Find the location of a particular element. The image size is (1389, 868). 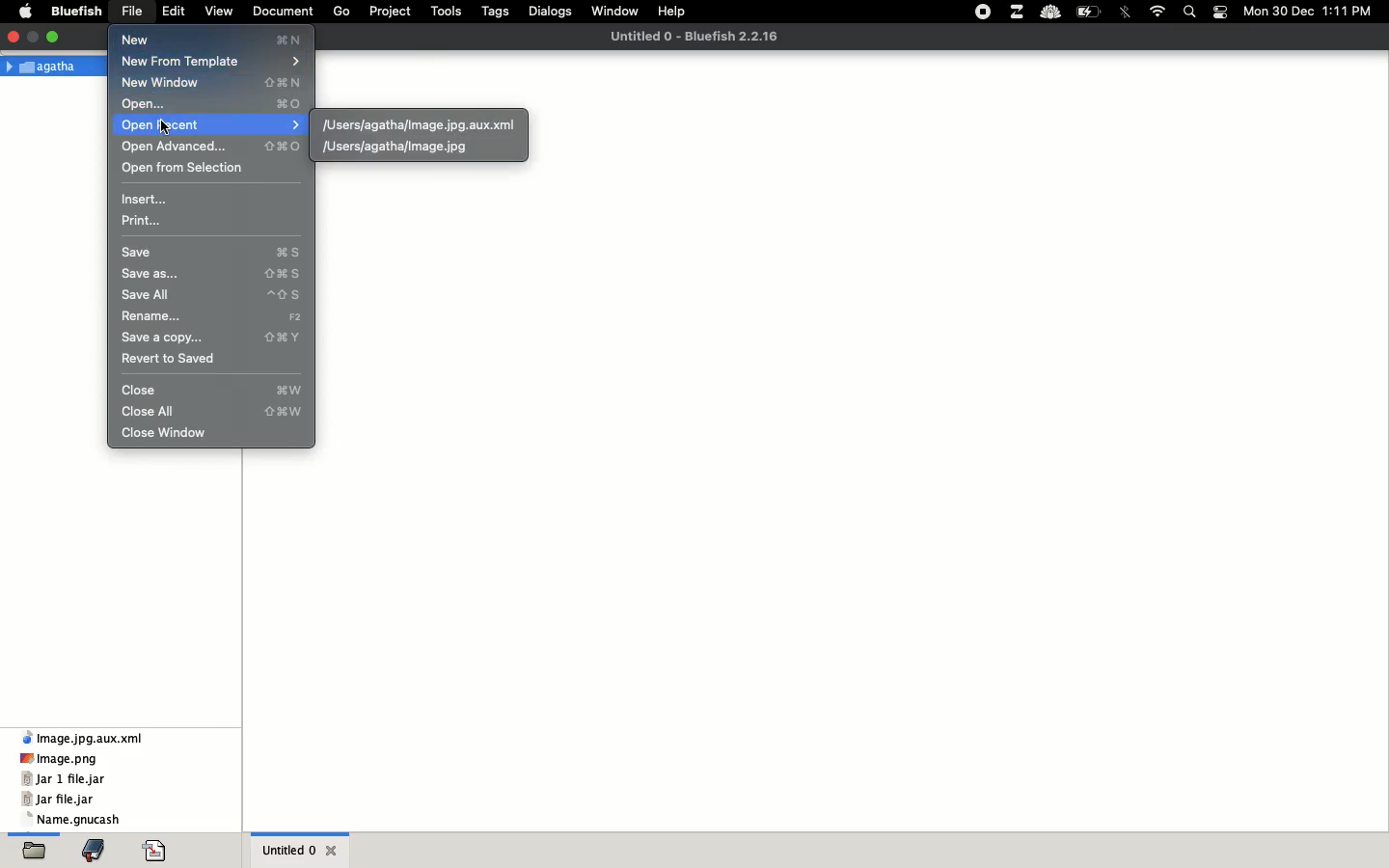

New ®N is located at coordinates (207, 40).